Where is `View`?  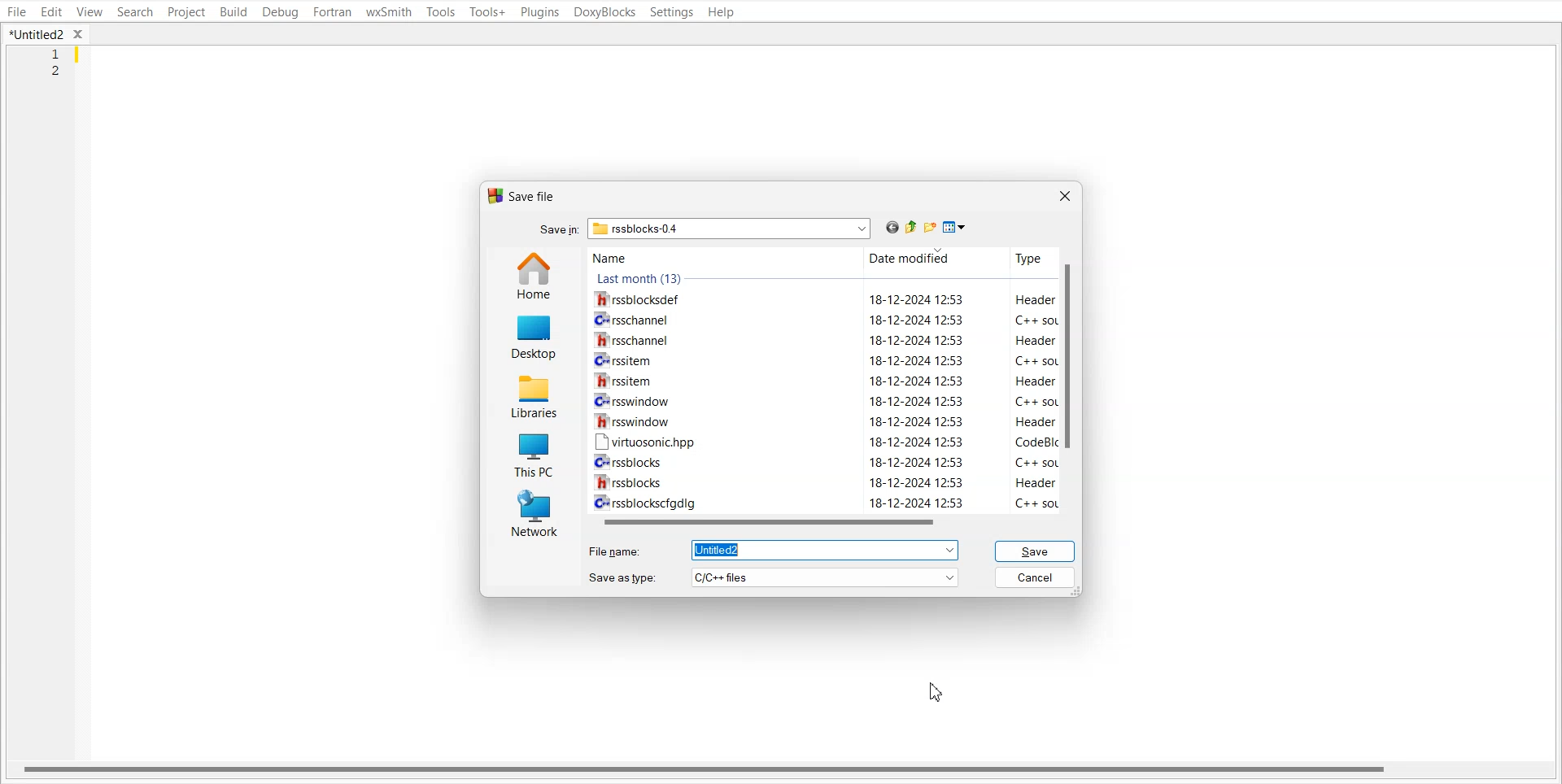 View is located at coordinates (89, 12).